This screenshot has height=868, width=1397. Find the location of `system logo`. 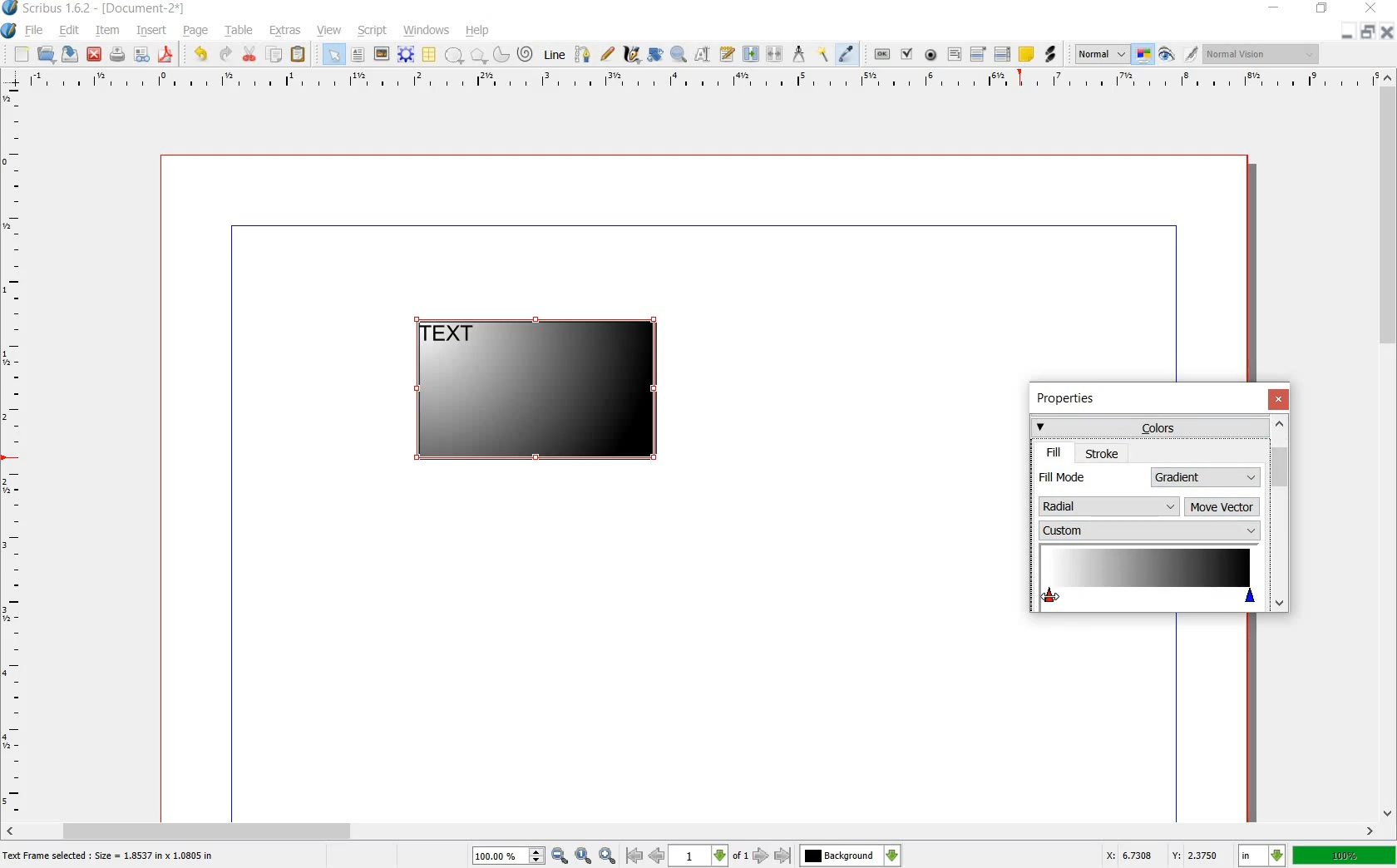

system logo is located at coordinates (8, 31).